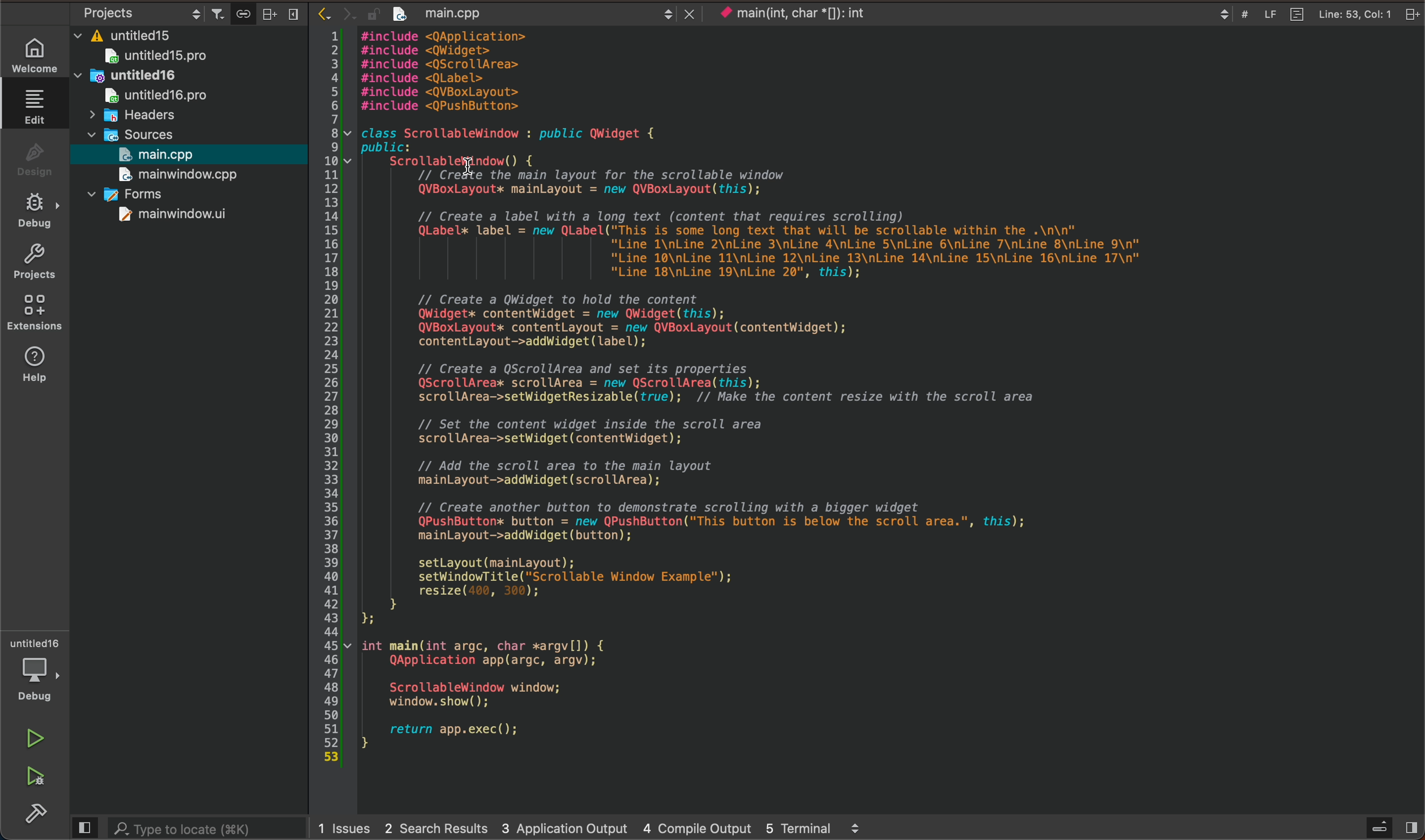  I want to click on filter, so click(219, 14).